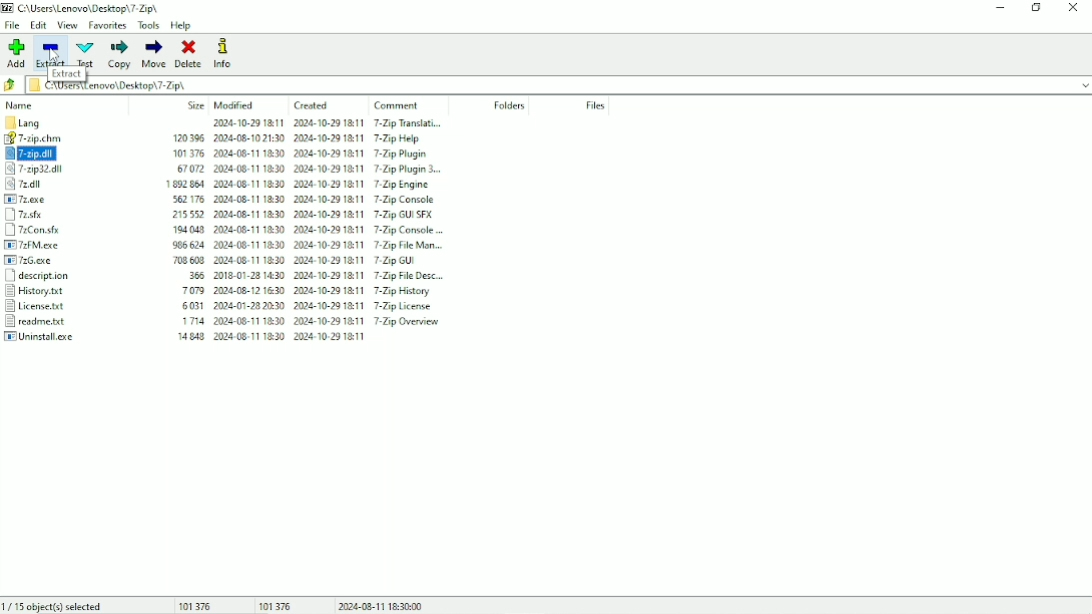 Image resolution: width=1092 pixels, height=614 pixels. I want to click on 996624 2004-08-11 1230 2004-10-291211  7-Zip File Man..., so click(316, 244).